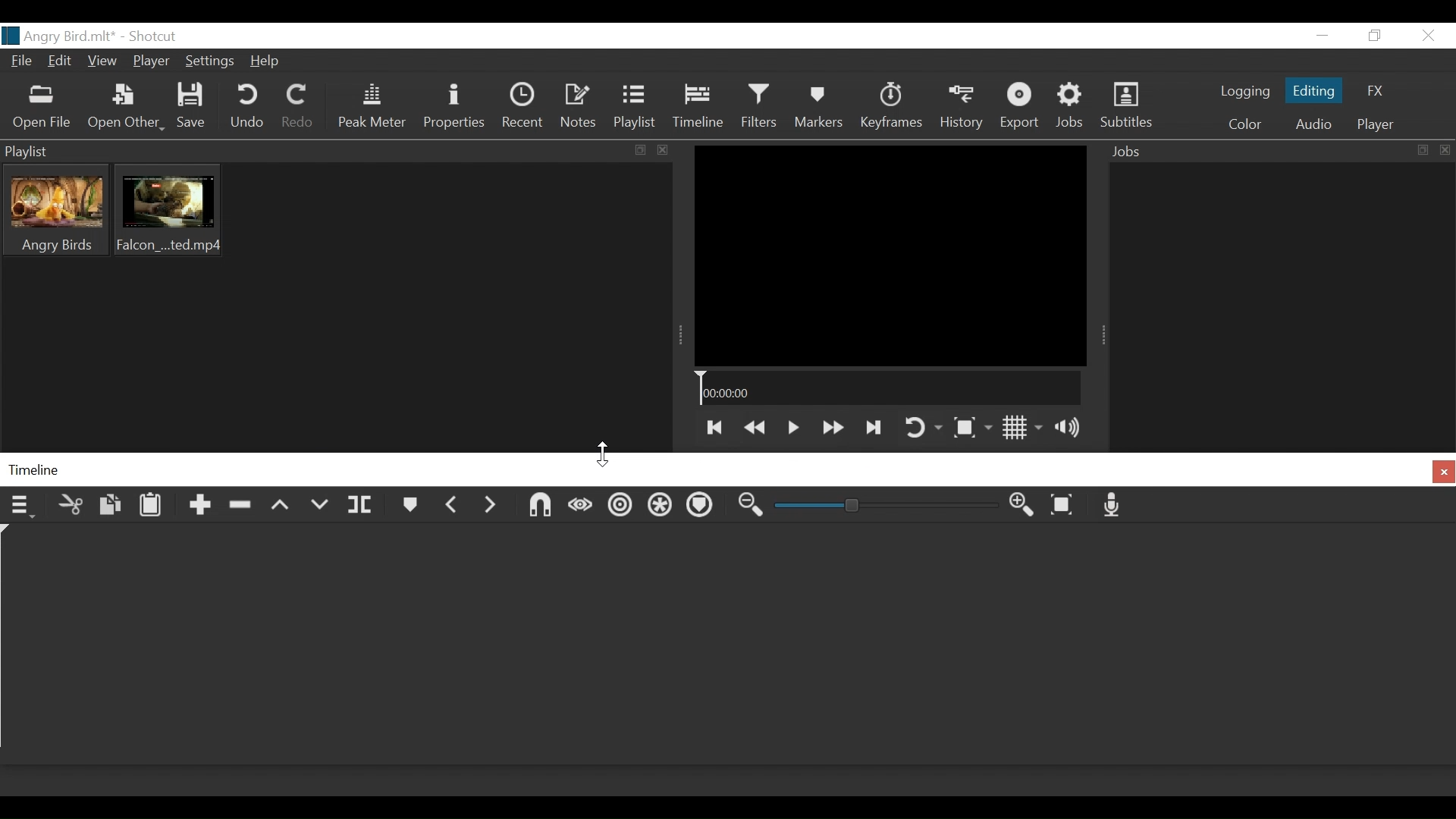 The height and width of the screenshot is (819, 1456). Describe the element at coordinates (197, 509) in the screenshot. I see `Append` at that location.